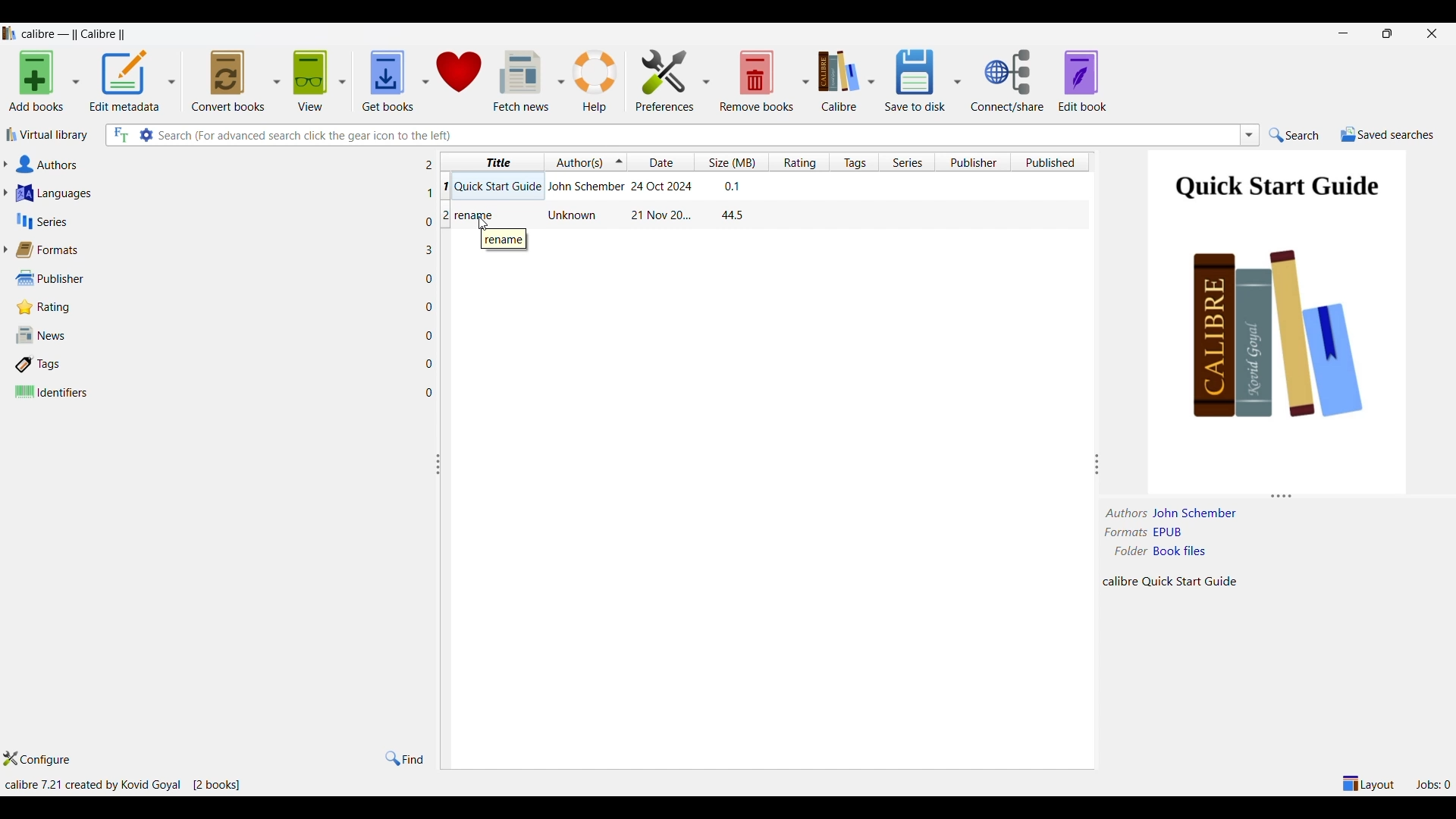 This screenshot has width=1456, height=819. I want to click on Languages , so click(215, 193).